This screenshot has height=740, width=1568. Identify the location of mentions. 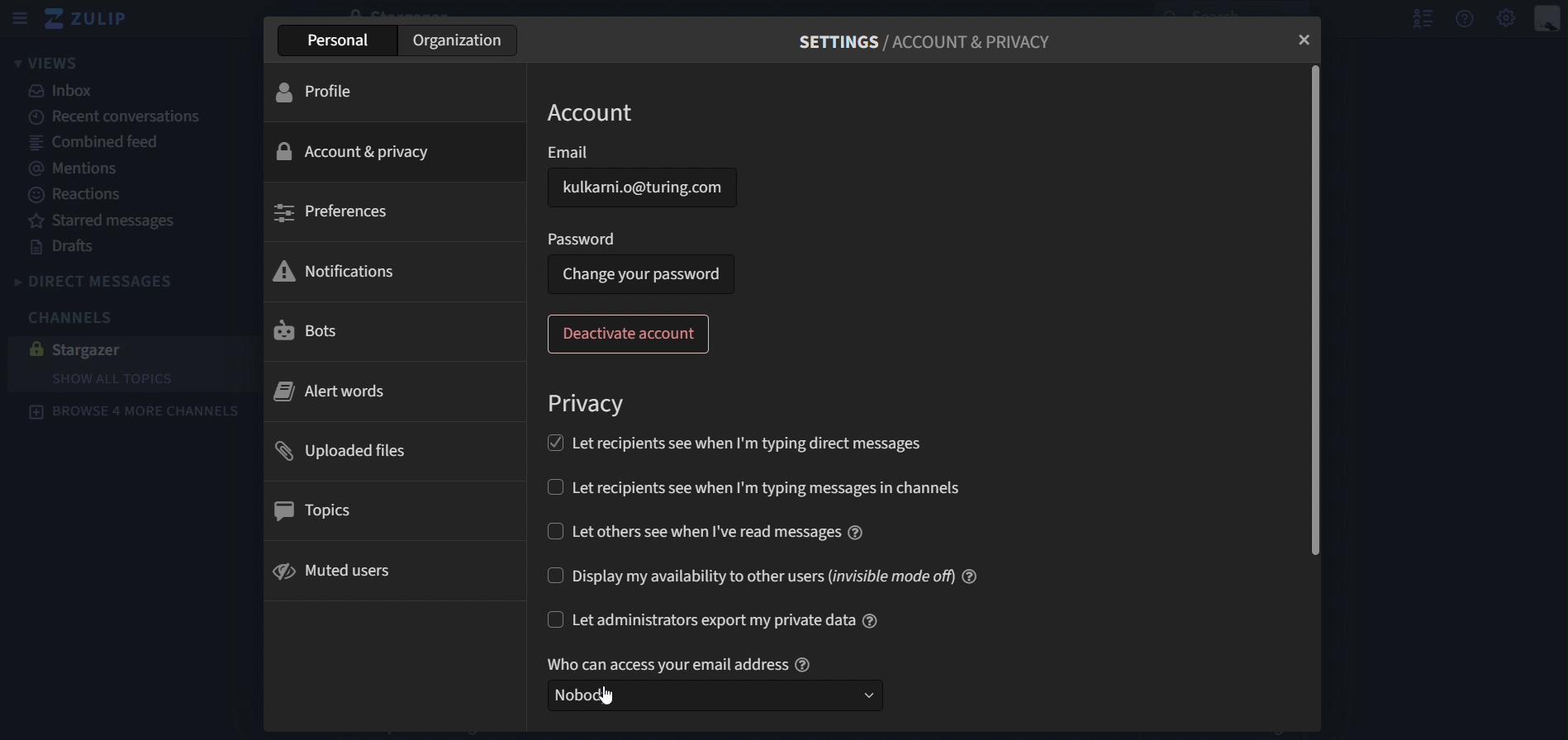
(91, 172).